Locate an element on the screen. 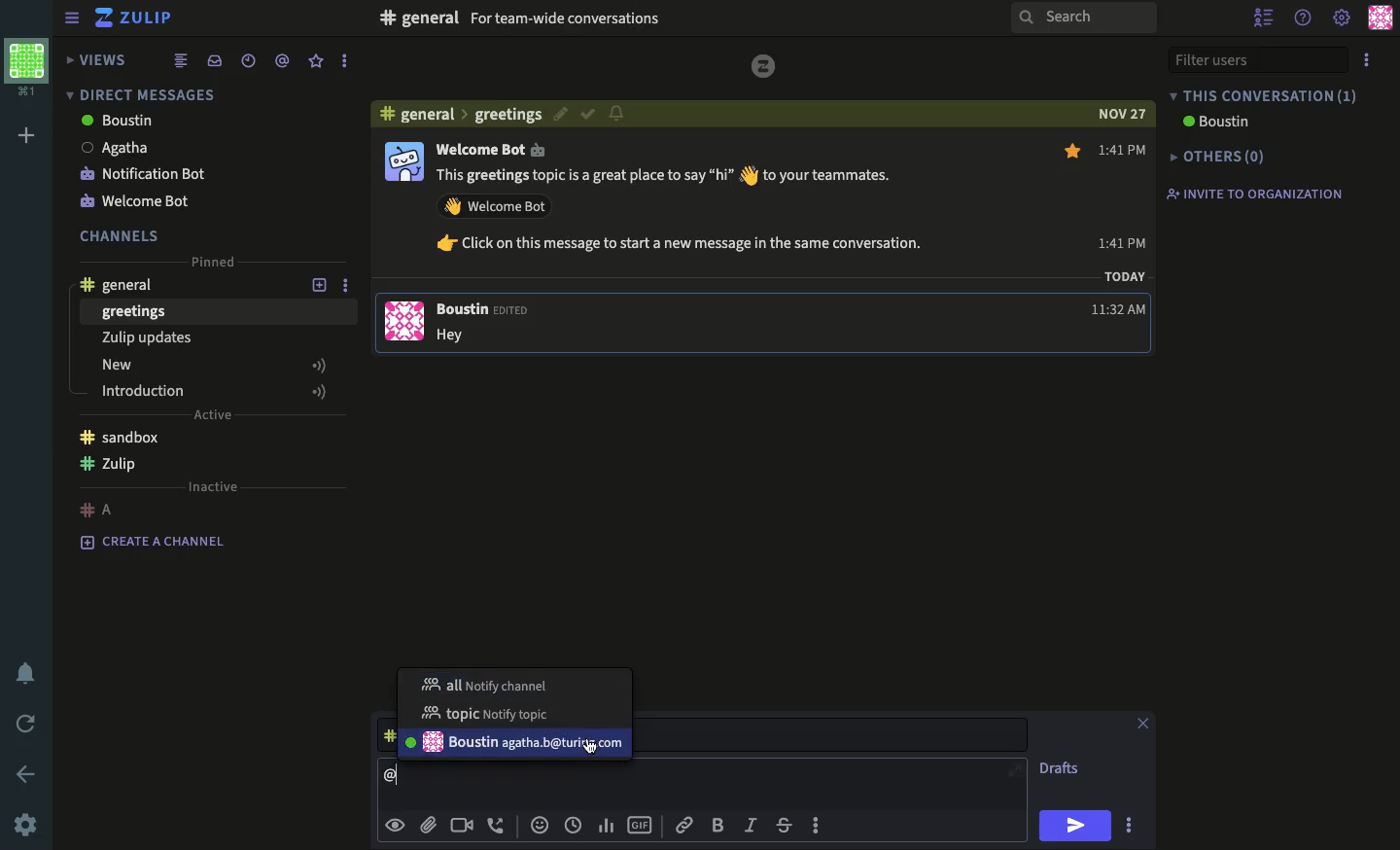  notification bot is located at coordinates (144, 175).